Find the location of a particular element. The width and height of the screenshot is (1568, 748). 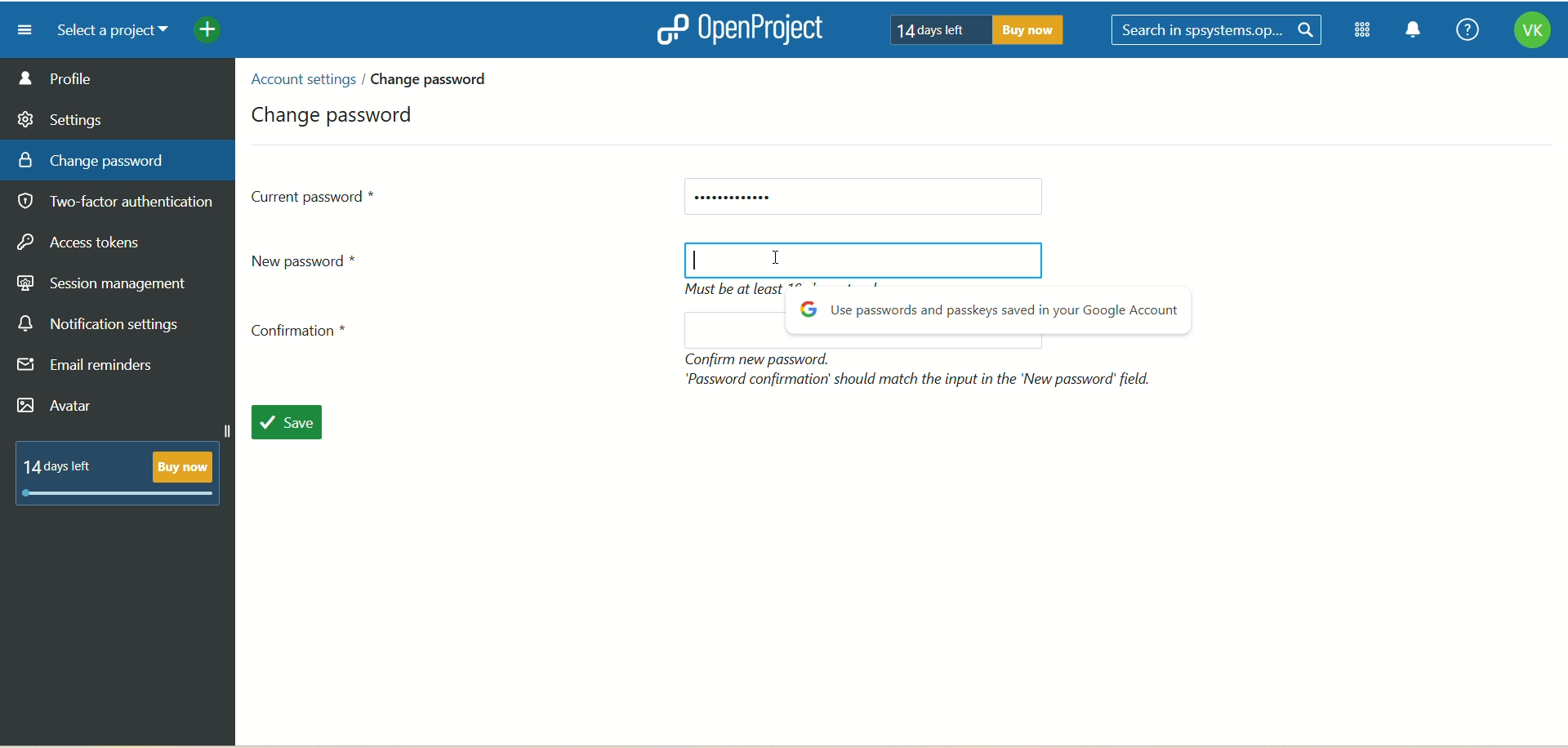

current password is located at coordinates (862, 198).